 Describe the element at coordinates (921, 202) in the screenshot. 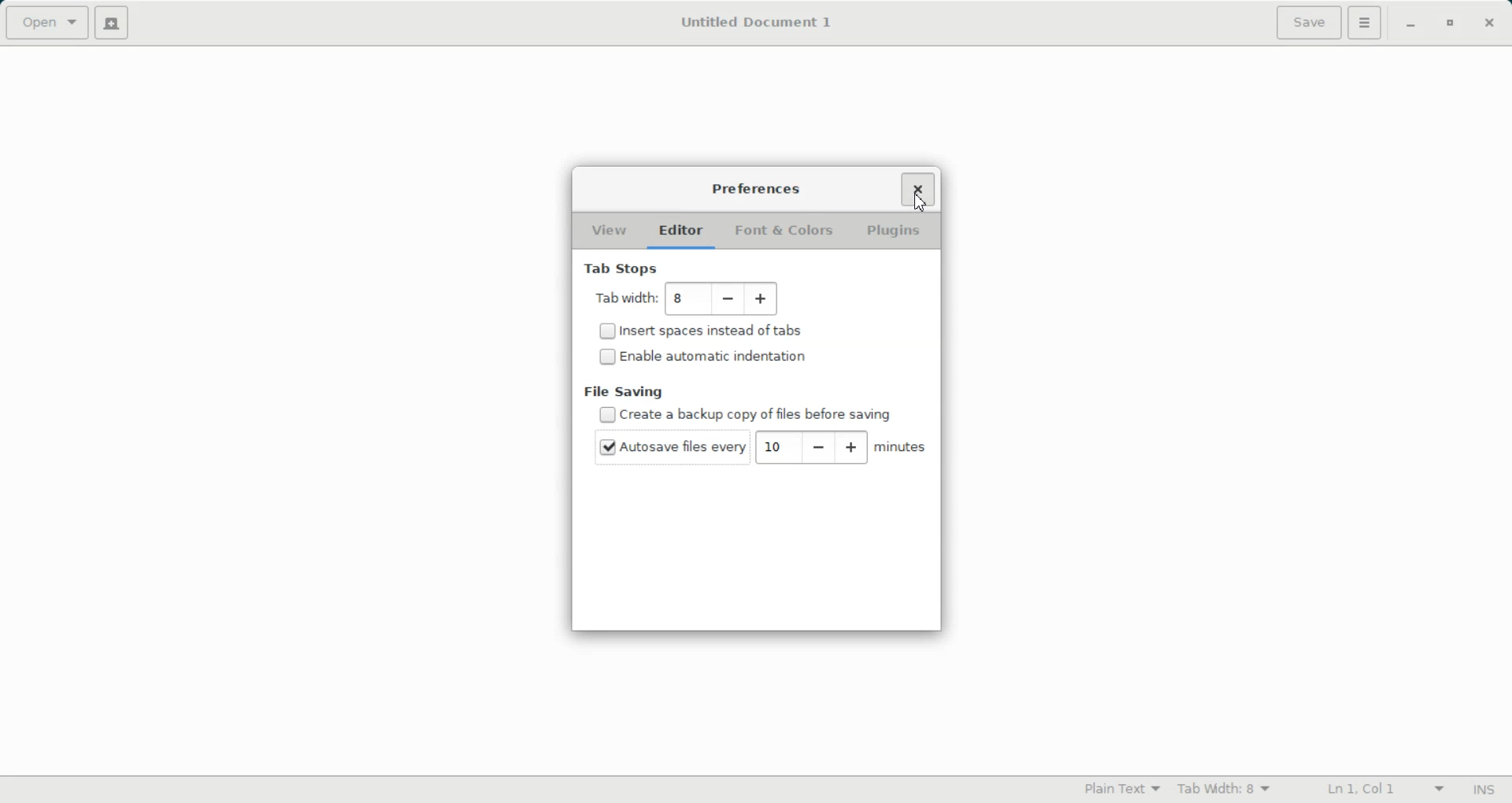

I see `Cursor` at that location.